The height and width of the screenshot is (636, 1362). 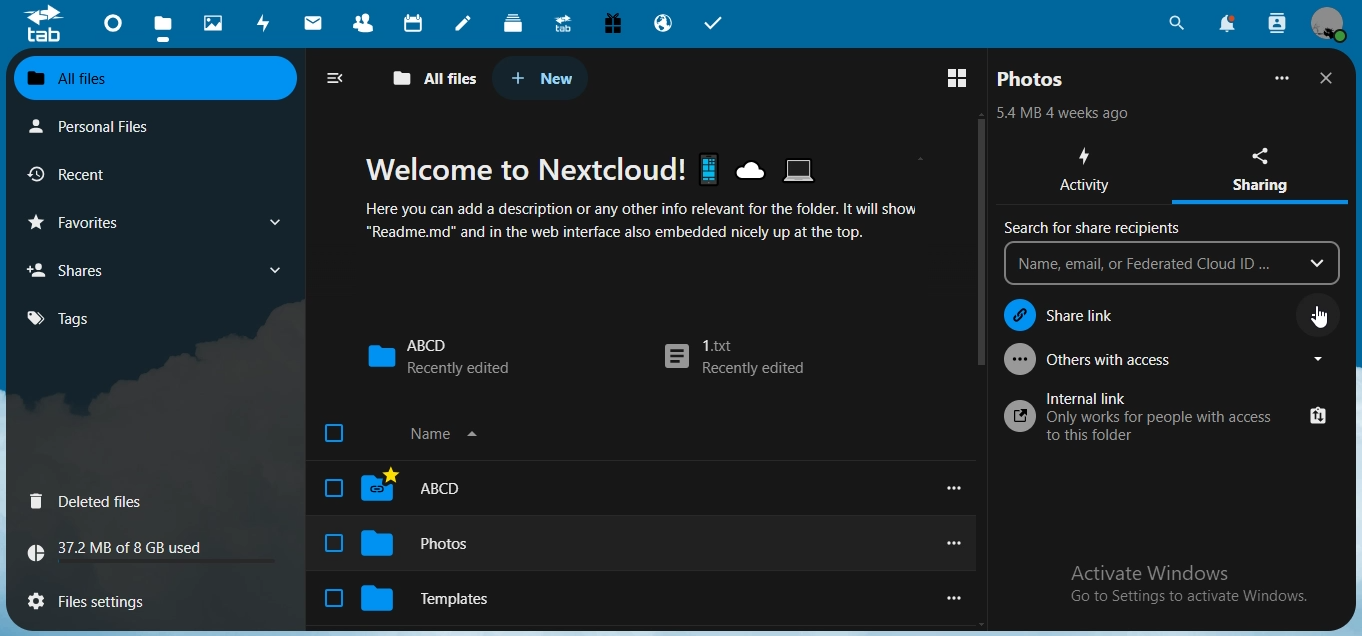 What do you see at coordinates (124, 551) in the screenshot?
I see `text` at bounding box center [124, 551].